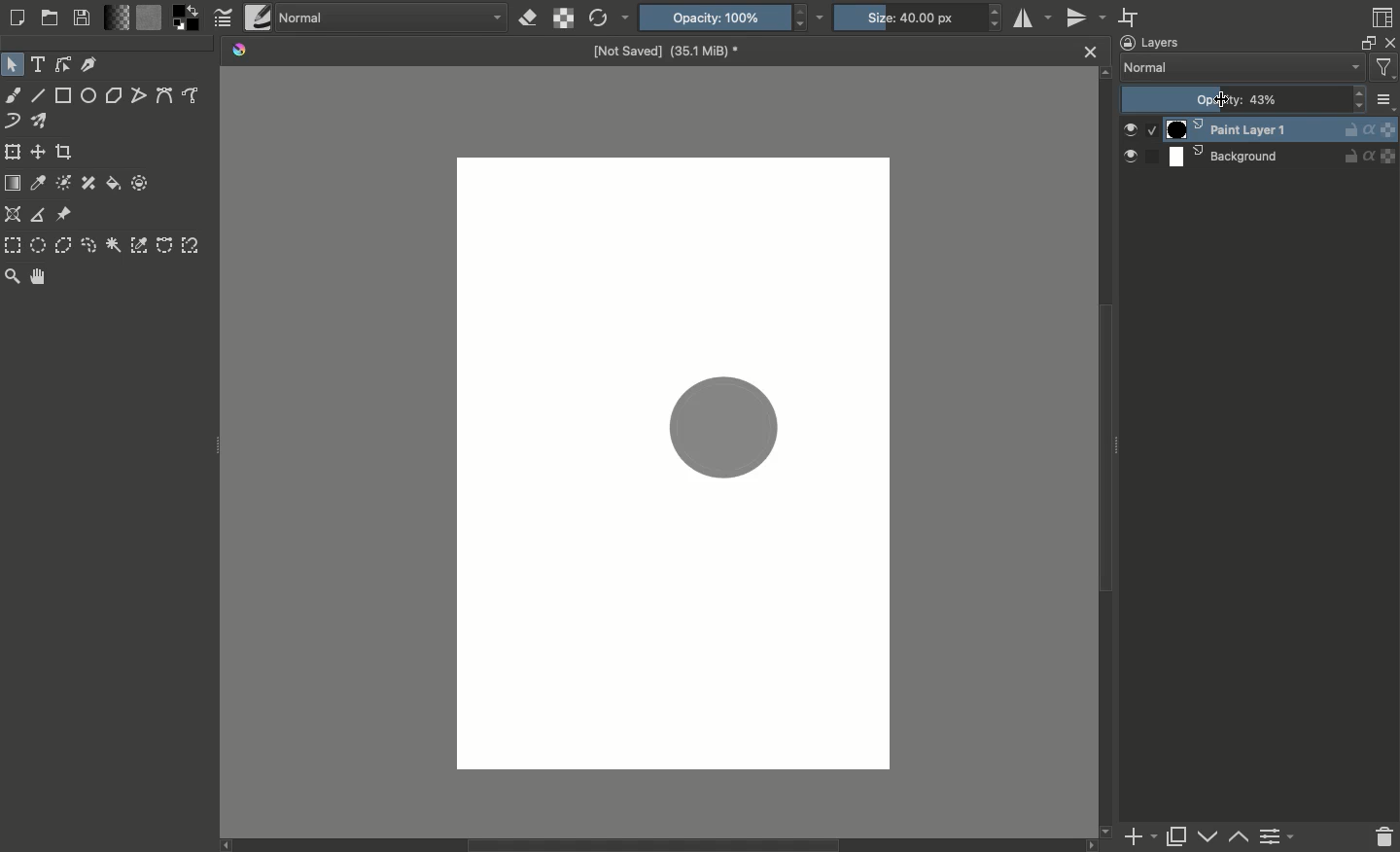 Image resolution: width=1400 pixels, height=852 pixels. I want to click on Canvas, so click(672, 461).